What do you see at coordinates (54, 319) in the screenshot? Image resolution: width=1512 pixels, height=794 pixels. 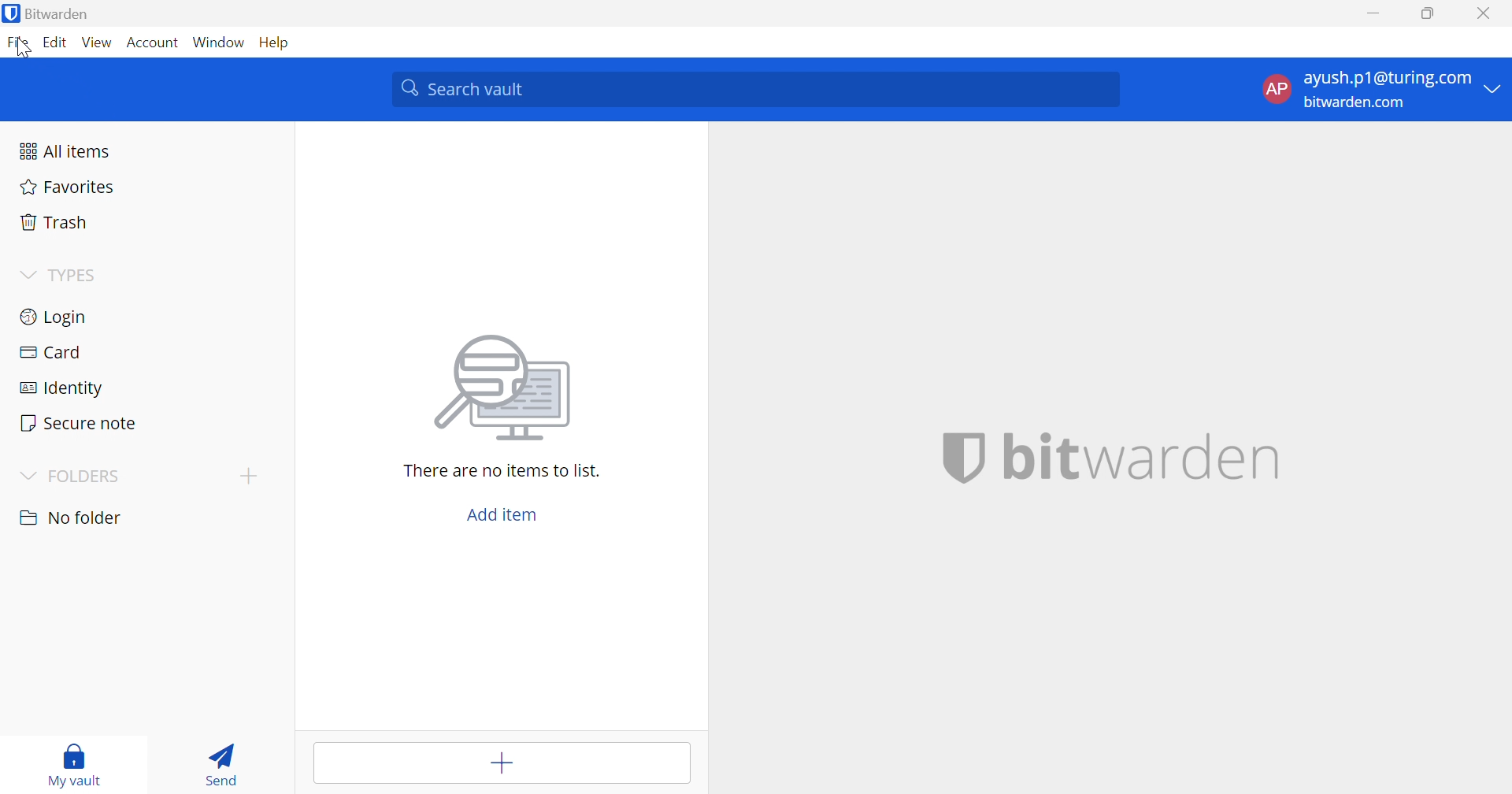 I see `Login` at bounding box center [54, 319].